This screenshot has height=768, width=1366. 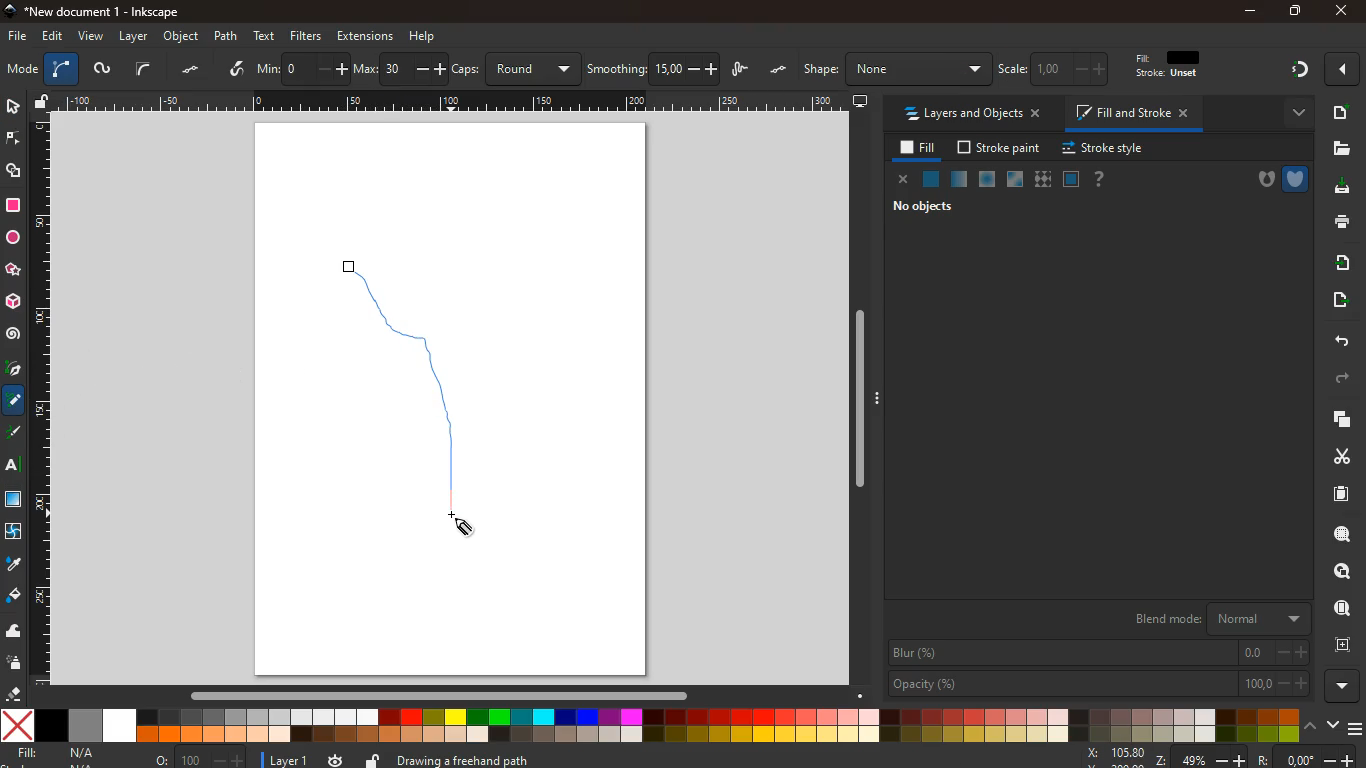 What do you see at coordinates (44, 102) in the screenshot?
I see `unlock` at bounding box center [44, 102].